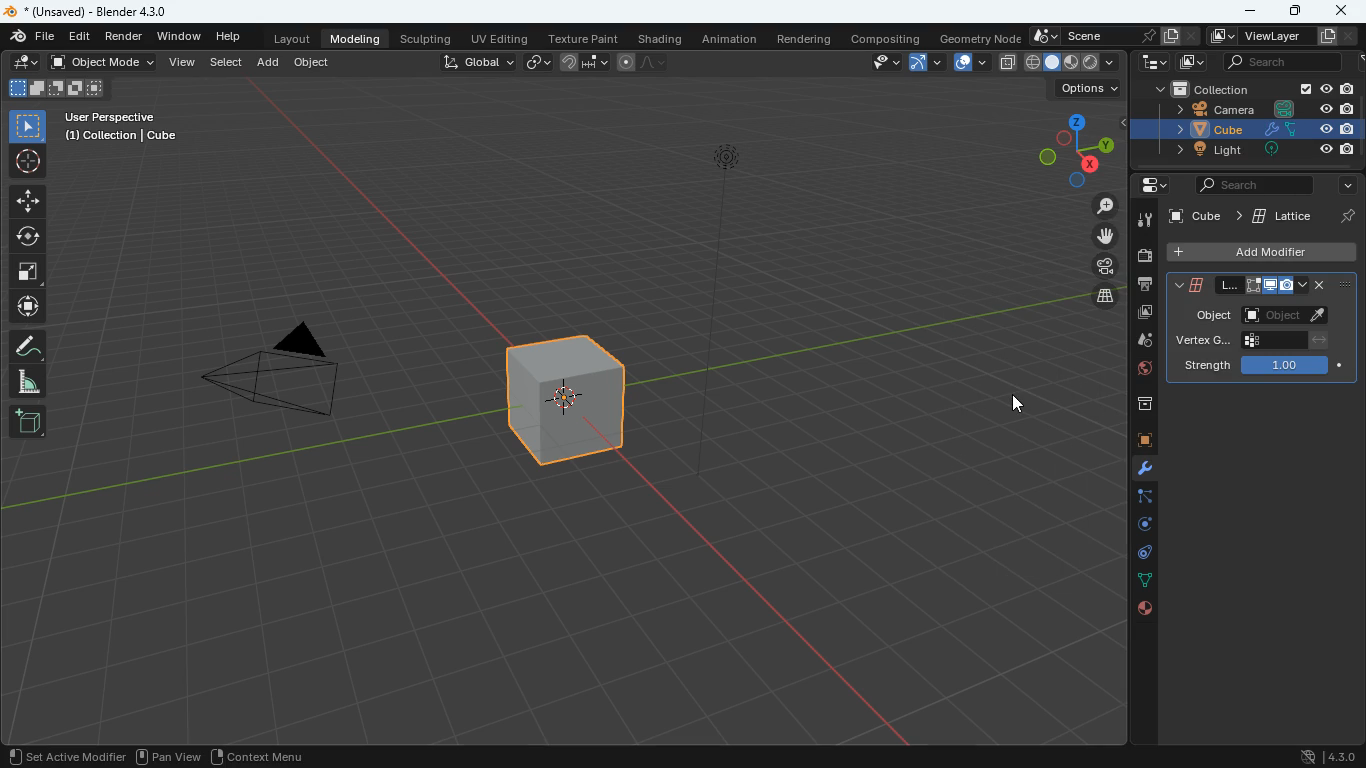 The height and width of the screenshot is (768, 1366). What do you see at coordinates (1261, 149) in the screenshot?
I see `light` at bounding box center [1261, 149].